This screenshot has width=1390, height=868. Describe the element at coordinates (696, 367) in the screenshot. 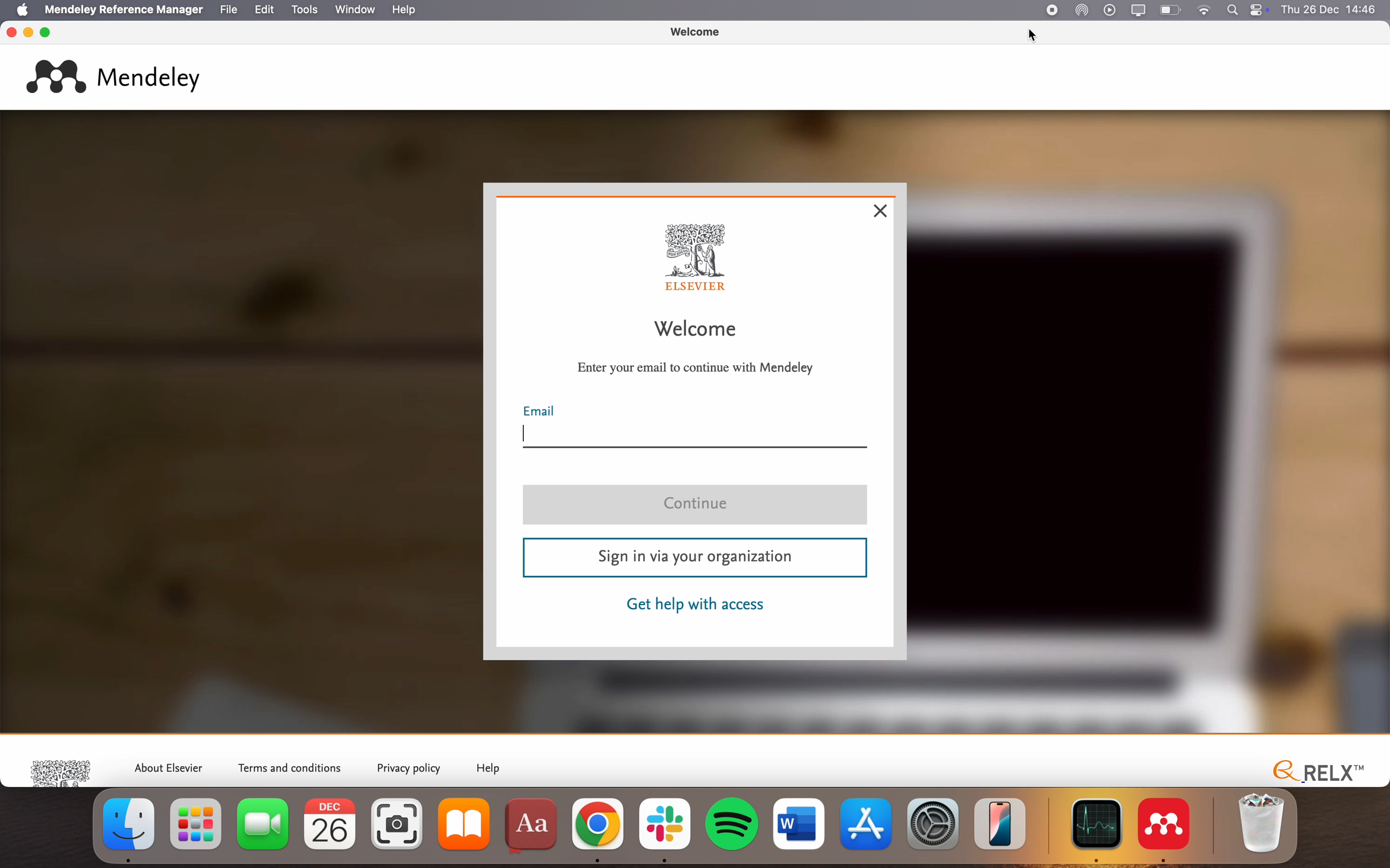

I see `Enter your email to continue with Mendeley` at that location.